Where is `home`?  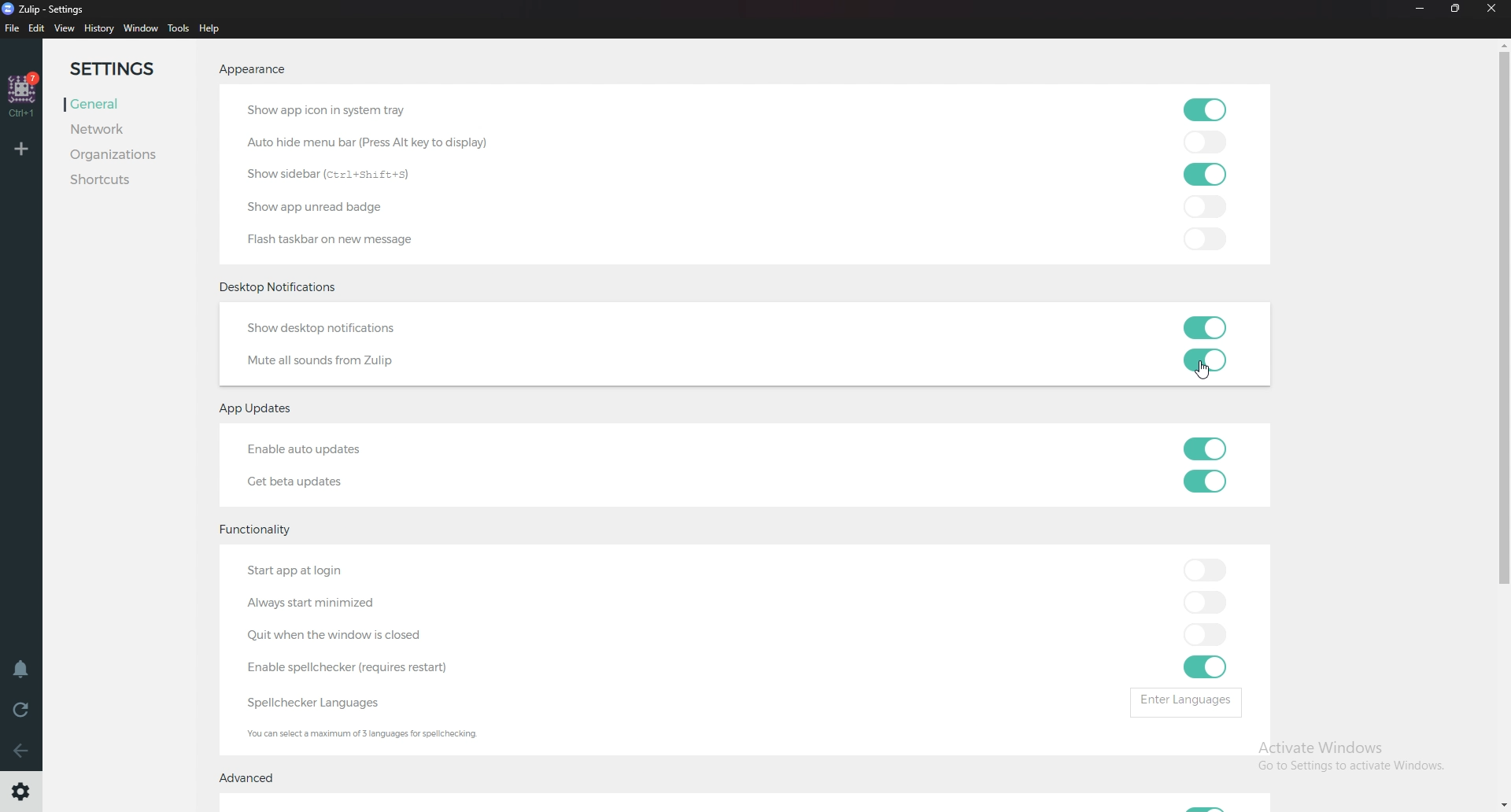
home is located at coordinates (24, 94).